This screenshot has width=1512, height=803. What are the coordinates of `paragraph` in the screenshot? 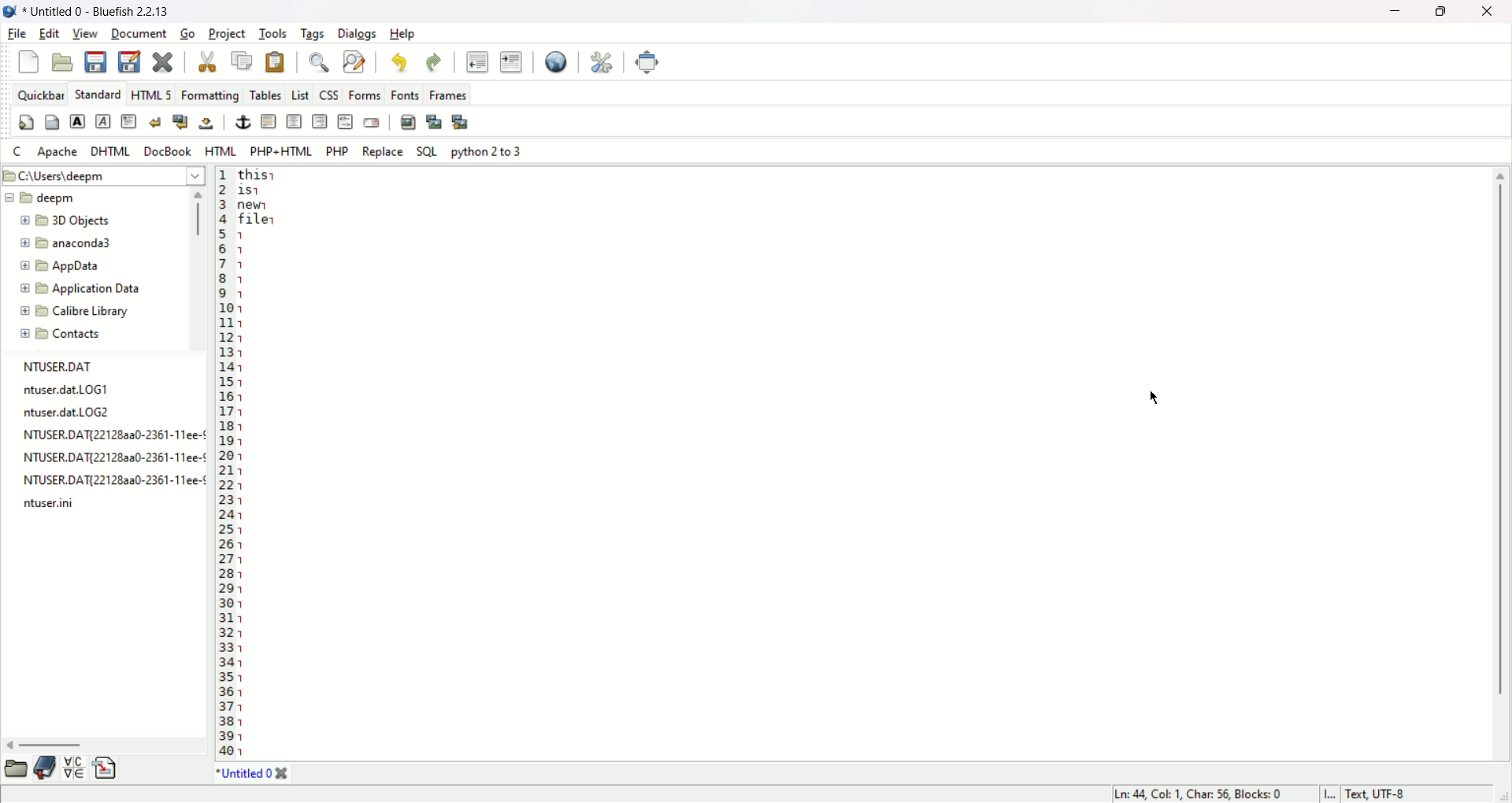 It's located at (129, 120).